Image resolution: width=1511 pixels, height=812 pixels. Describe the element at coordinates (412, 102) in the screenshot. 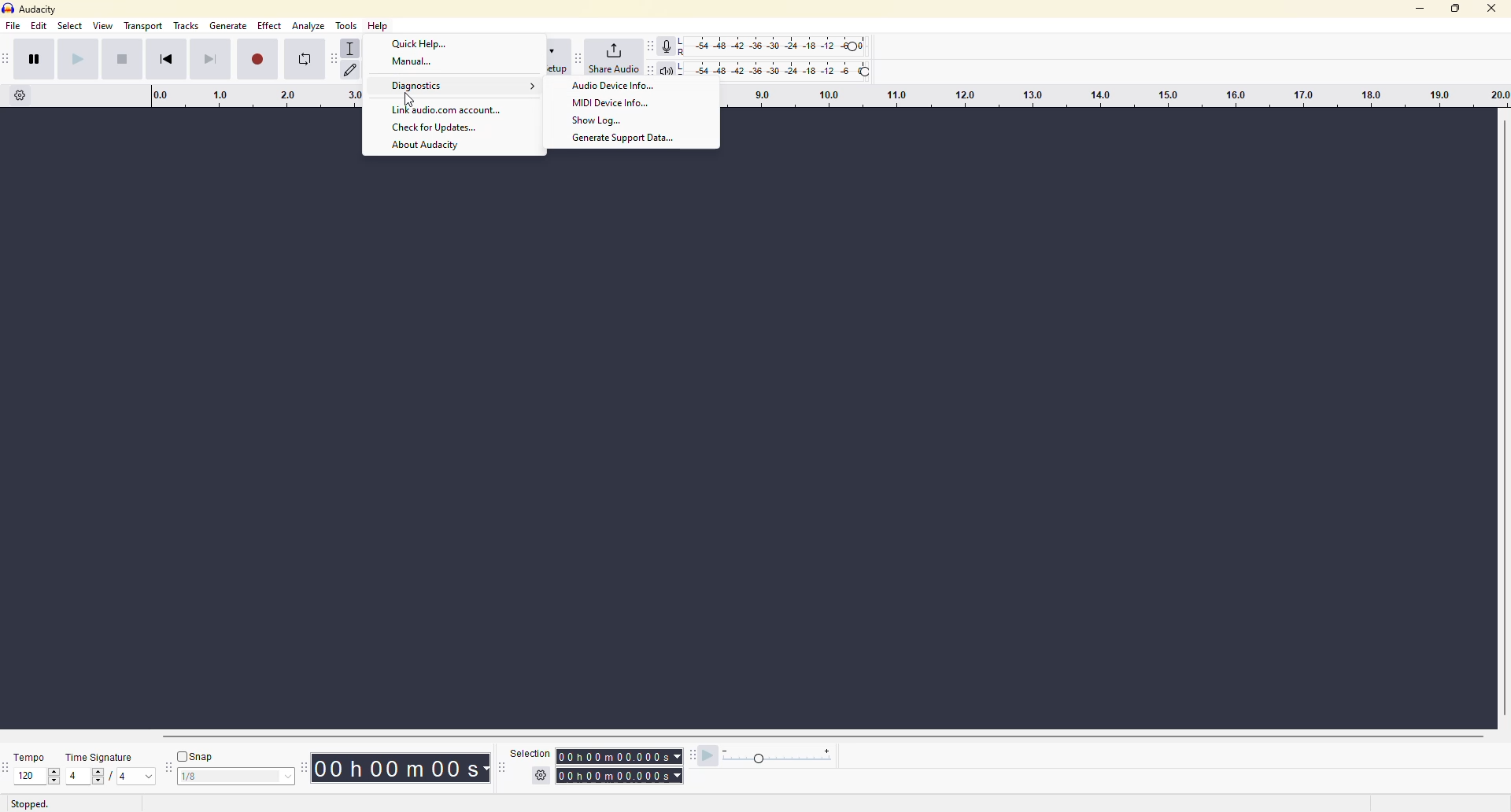

I see `cursor` at that location.